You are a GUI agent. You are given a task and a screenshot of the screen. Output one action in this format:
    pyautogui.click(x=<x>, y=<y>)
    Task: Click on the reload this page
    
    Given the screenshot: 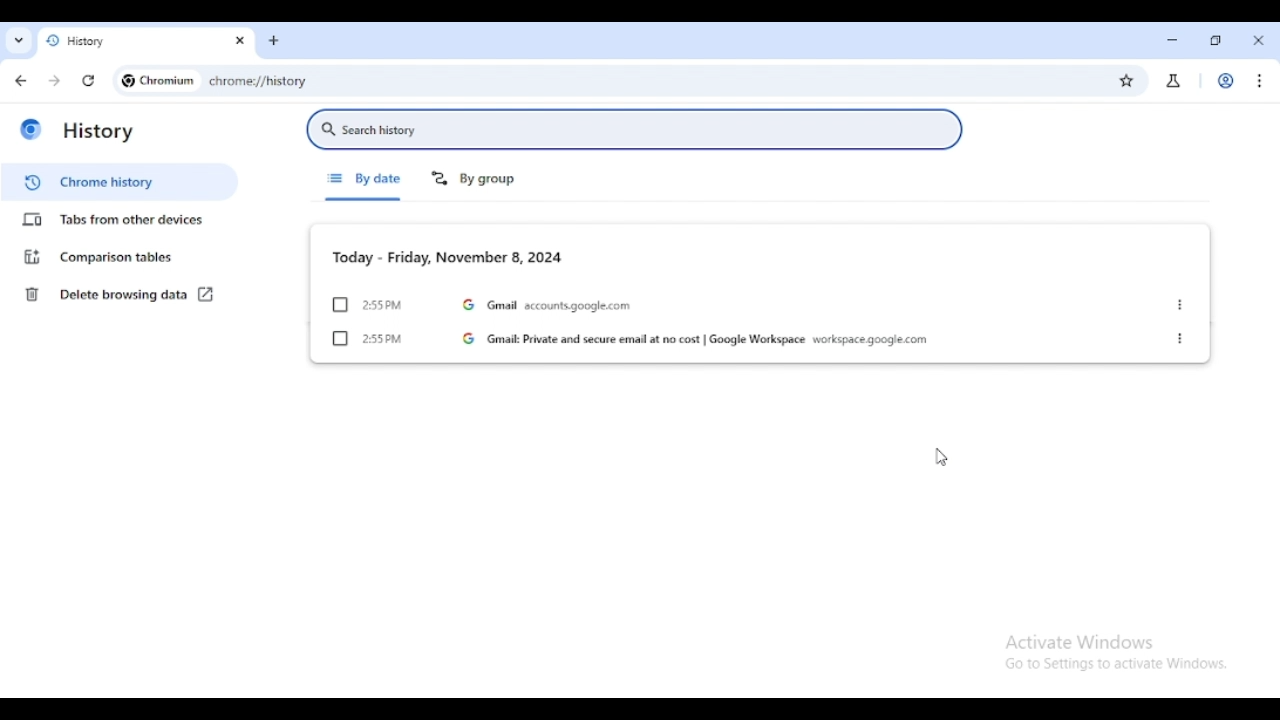 What is the action you would take?
    pyautogui.click(x=88, y=81)
    